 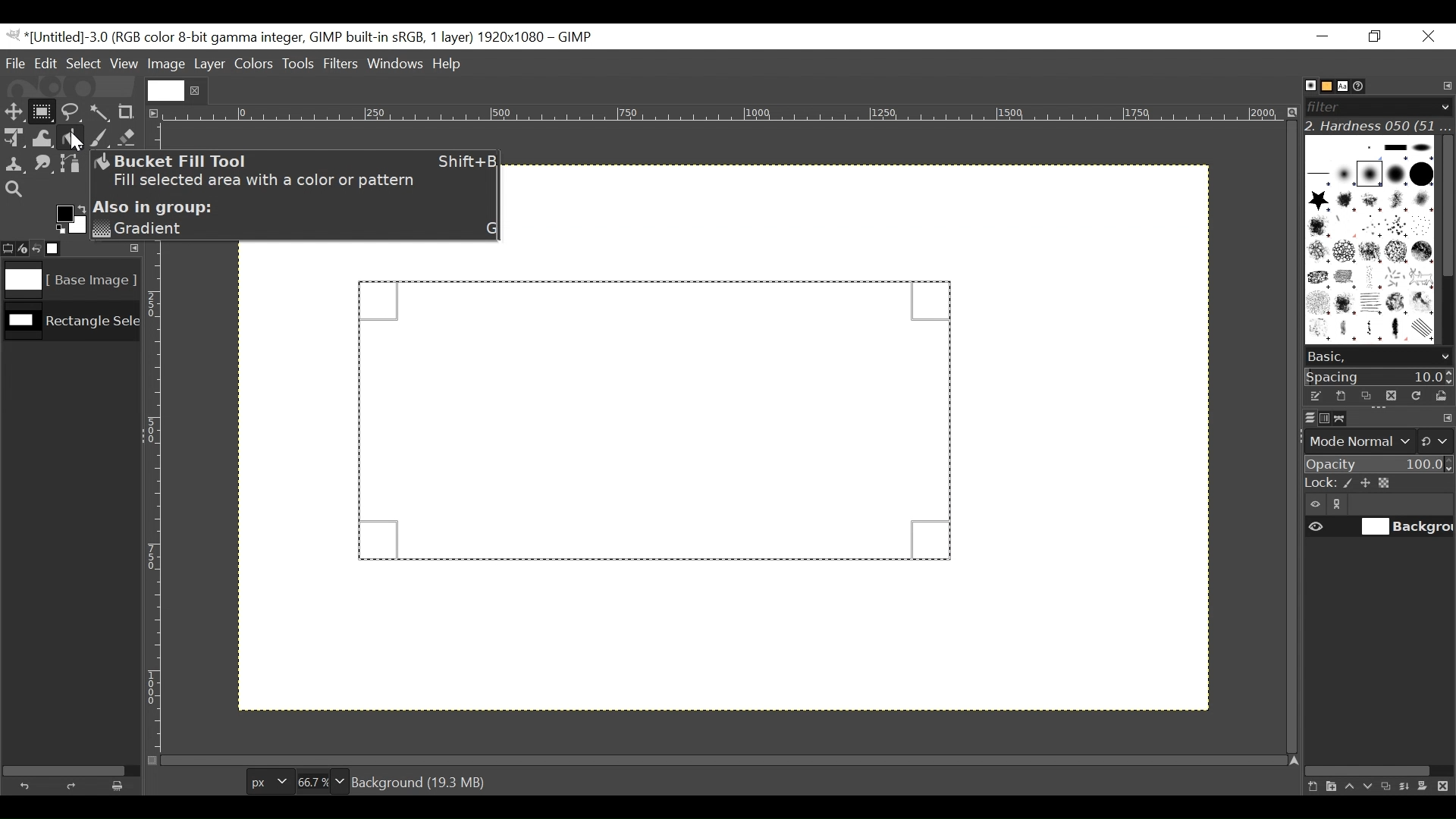 What do you see at coordinates (1390, 395) in the screenshot?
I see `Duplicate brush` at bounding box center [1390, 395].